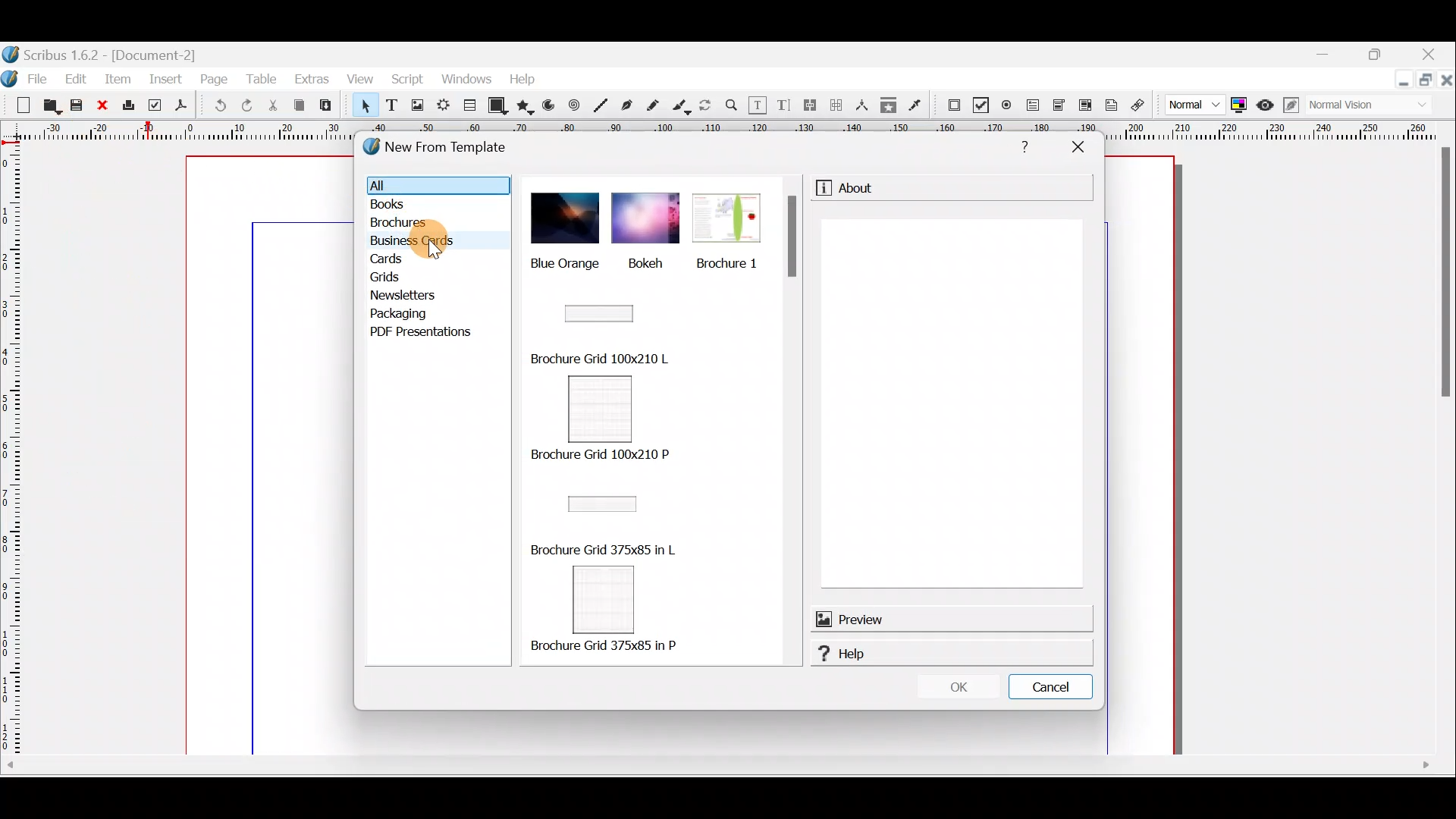 The width and height of the screenshot is (1456, 819). I want to click on help logo, so click(819, 654).